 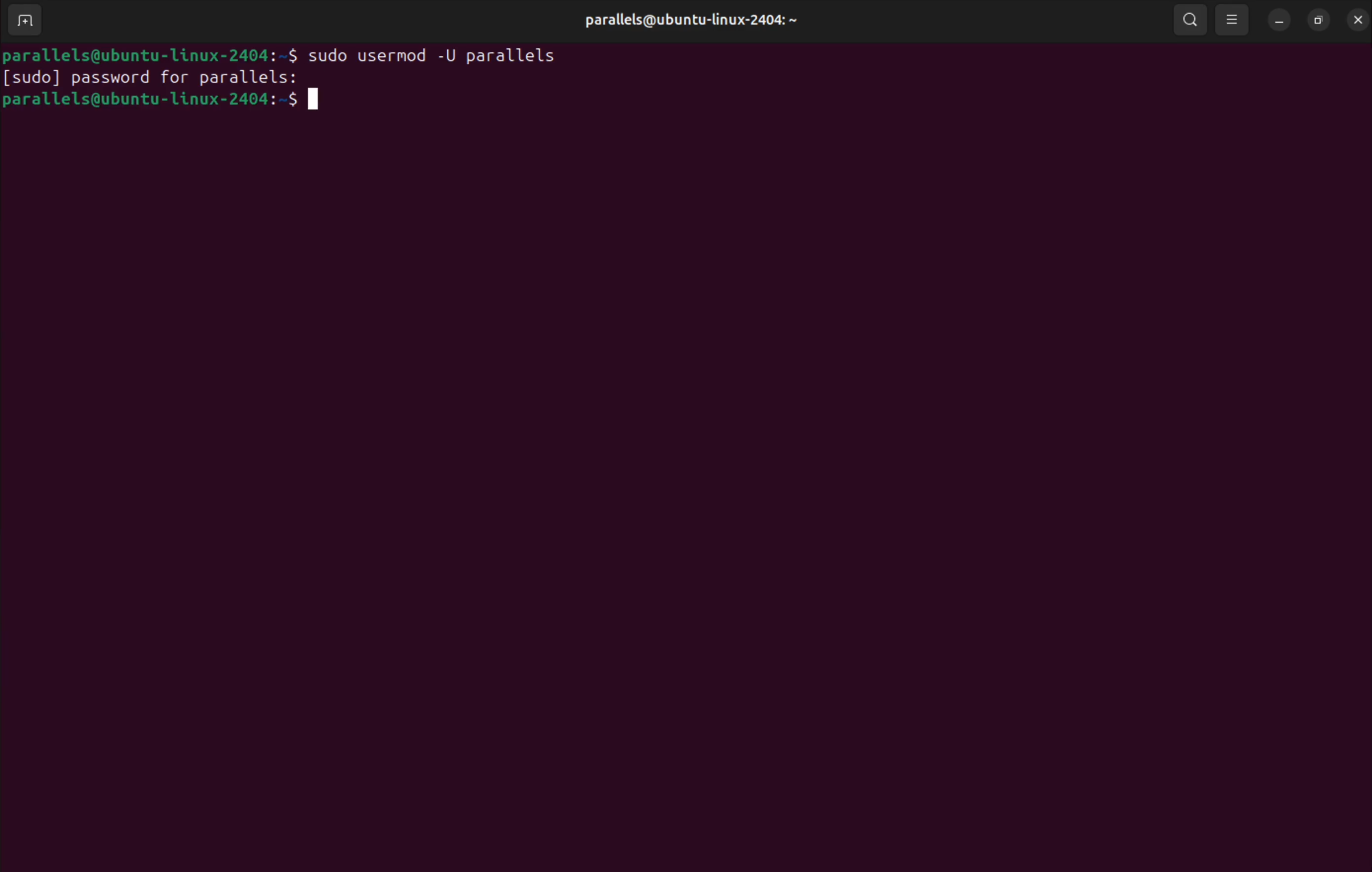 What do you see at coordinates (687, 21) in the screenshot?
I see `user profile` at bounding box center [687, 21].